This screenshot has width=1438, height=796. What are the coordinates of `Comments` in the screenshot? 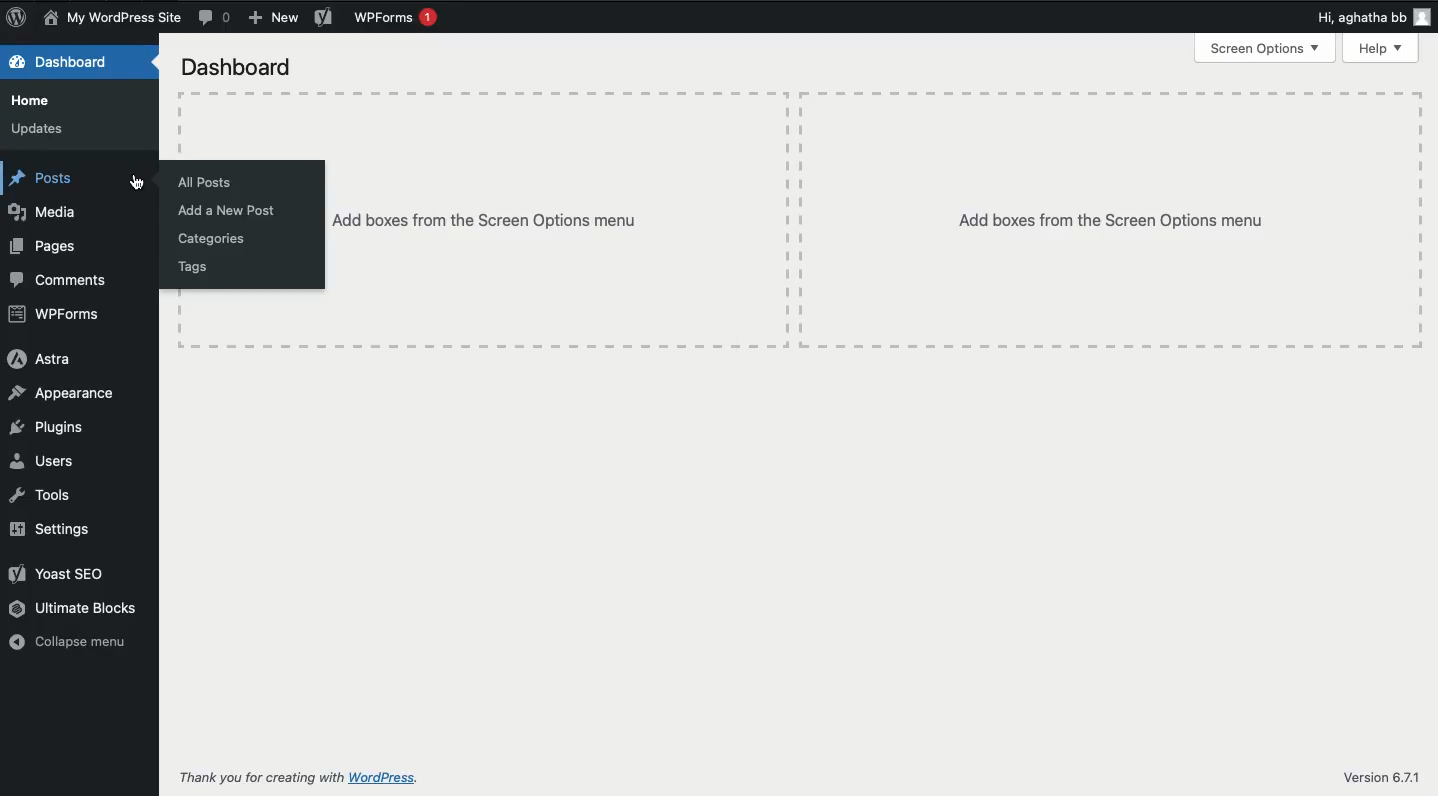 It's located at (63, 283).